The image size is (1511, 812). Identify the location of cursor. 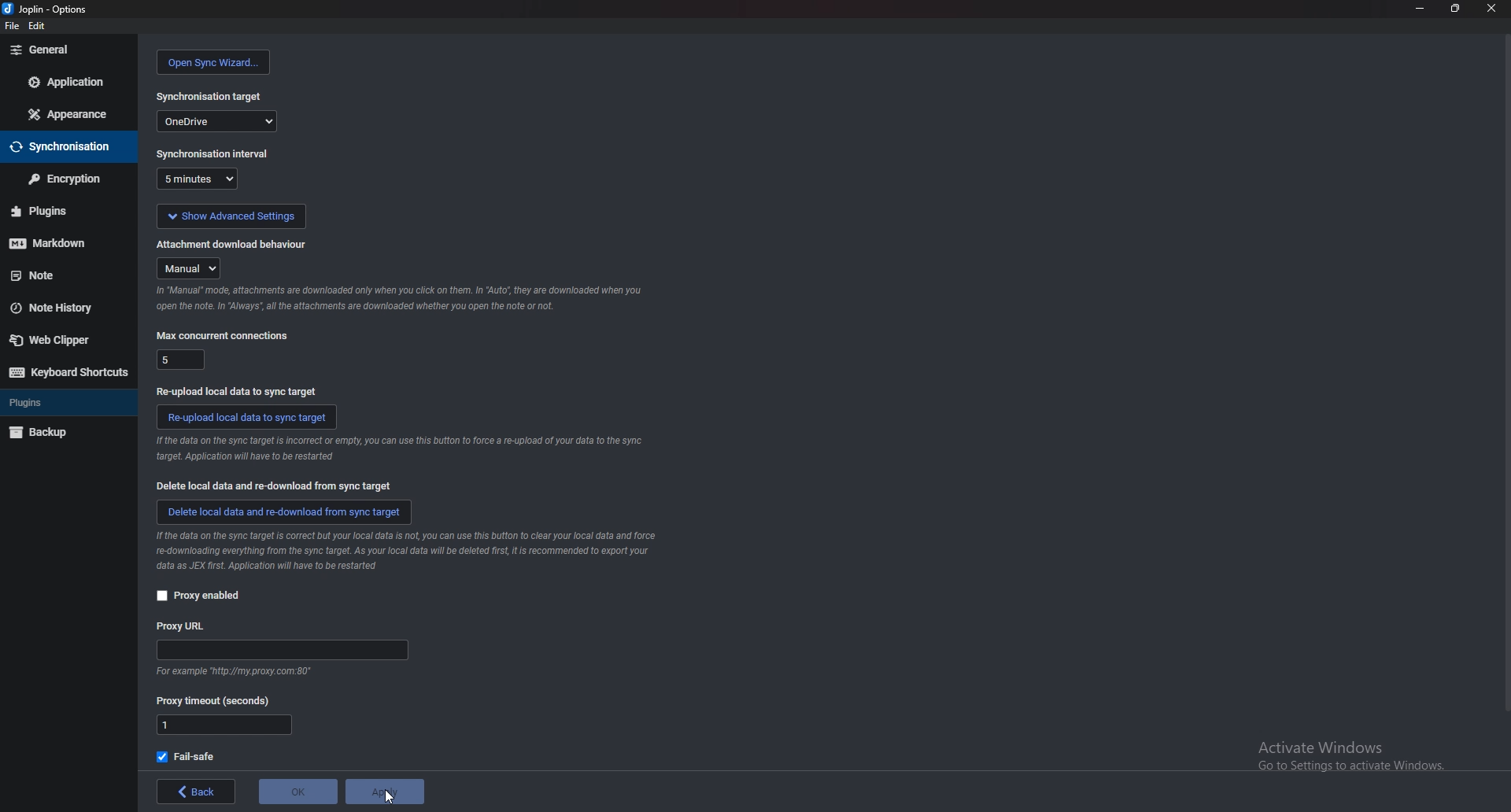
(389, 794).